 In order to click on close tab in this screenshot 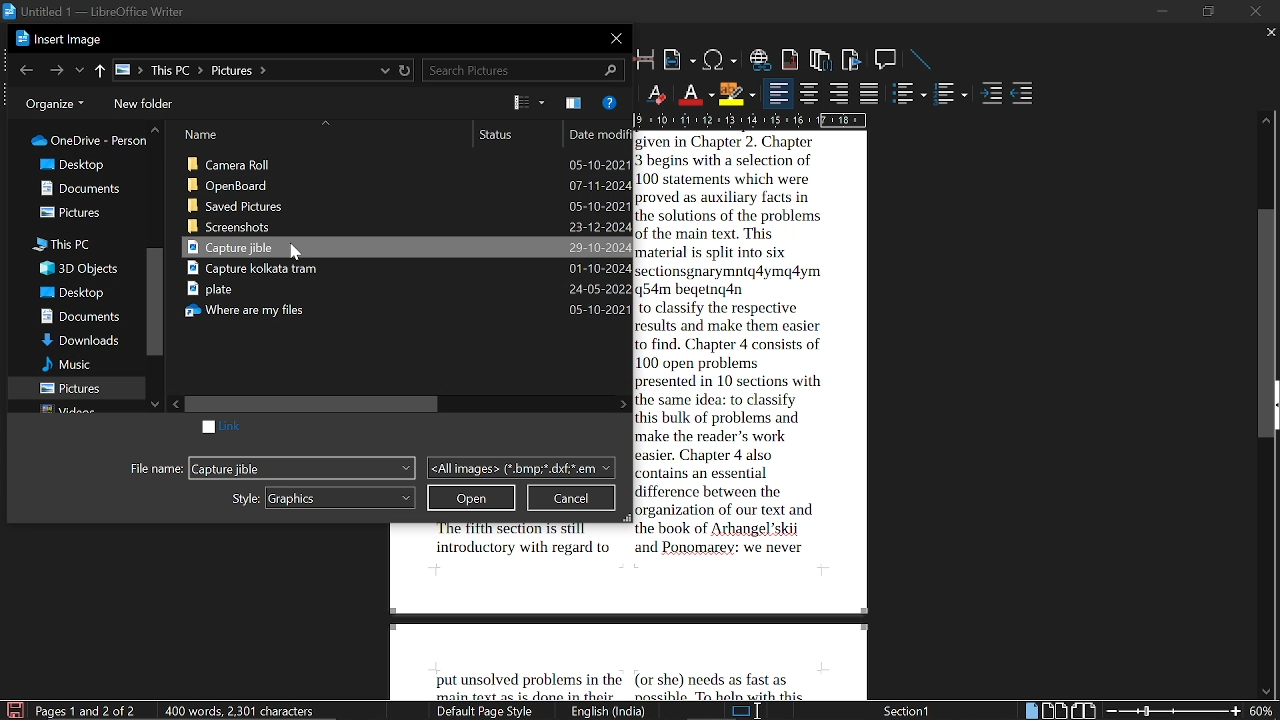, I will do `click(1266, 34)`.